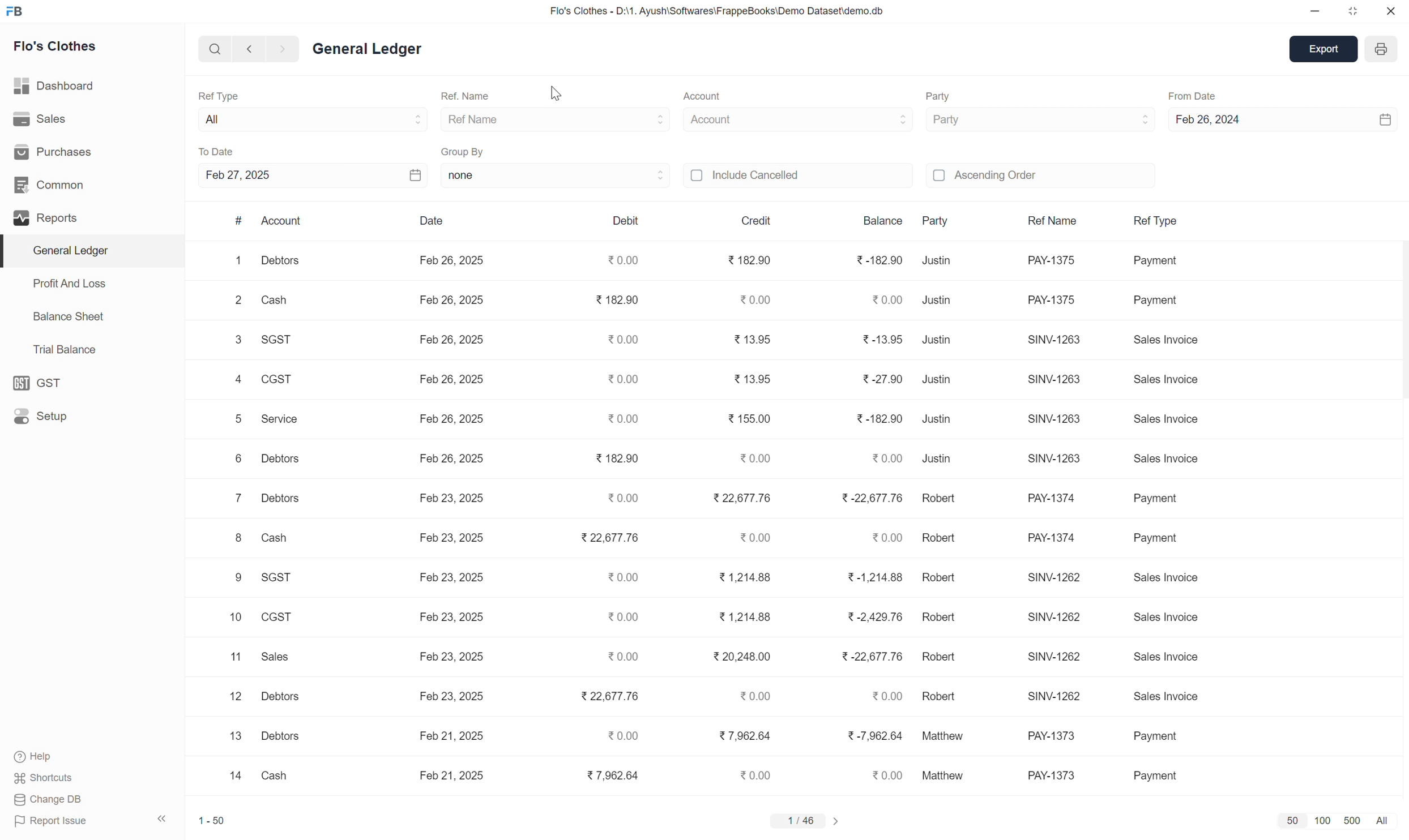  Describe the element at coordinates (626, 261) in the screenshot. I see `0.00` at that location.